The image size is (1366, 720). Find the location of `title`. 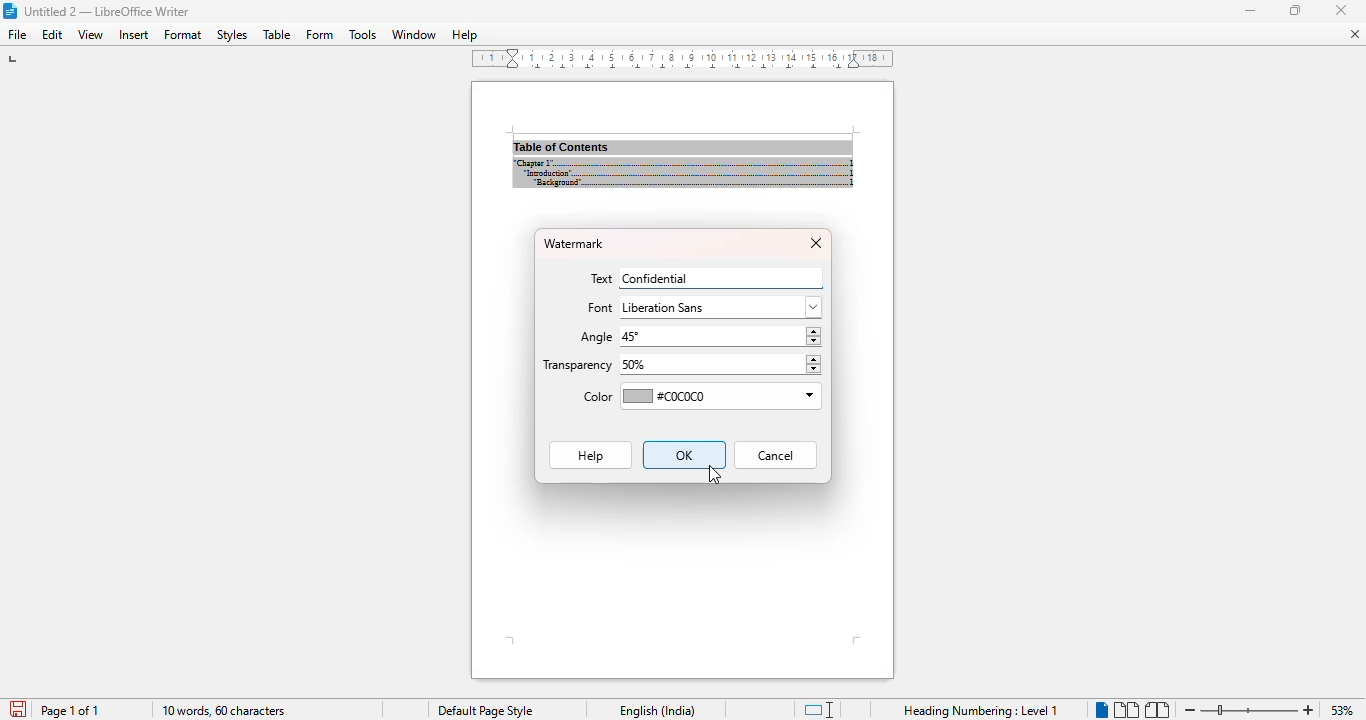

title is located at coordinates (107, 11).